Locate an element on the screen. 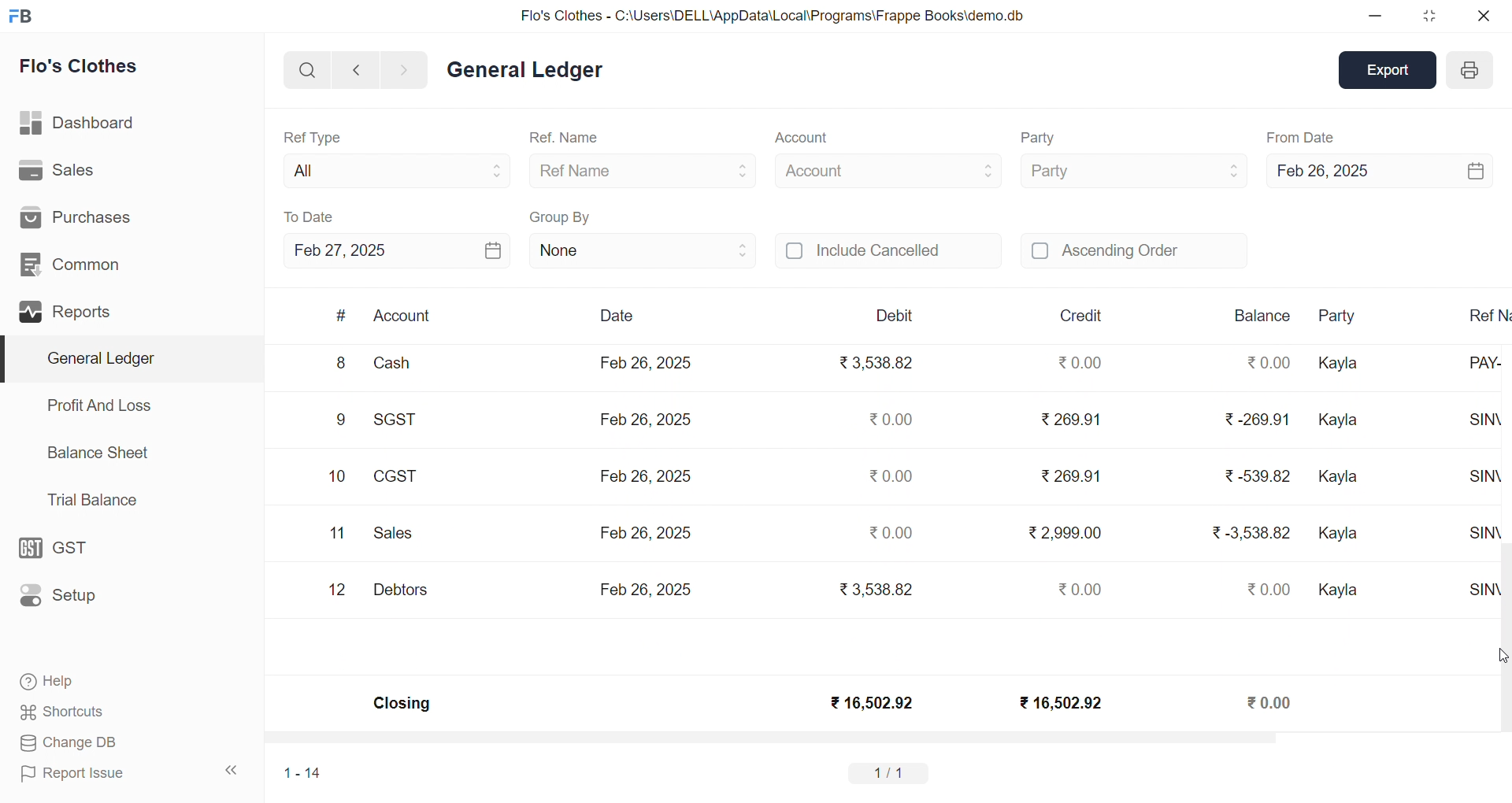 This screenshot has height=803, width=1512. Include Cancelled is located at coordinates (888, 252).